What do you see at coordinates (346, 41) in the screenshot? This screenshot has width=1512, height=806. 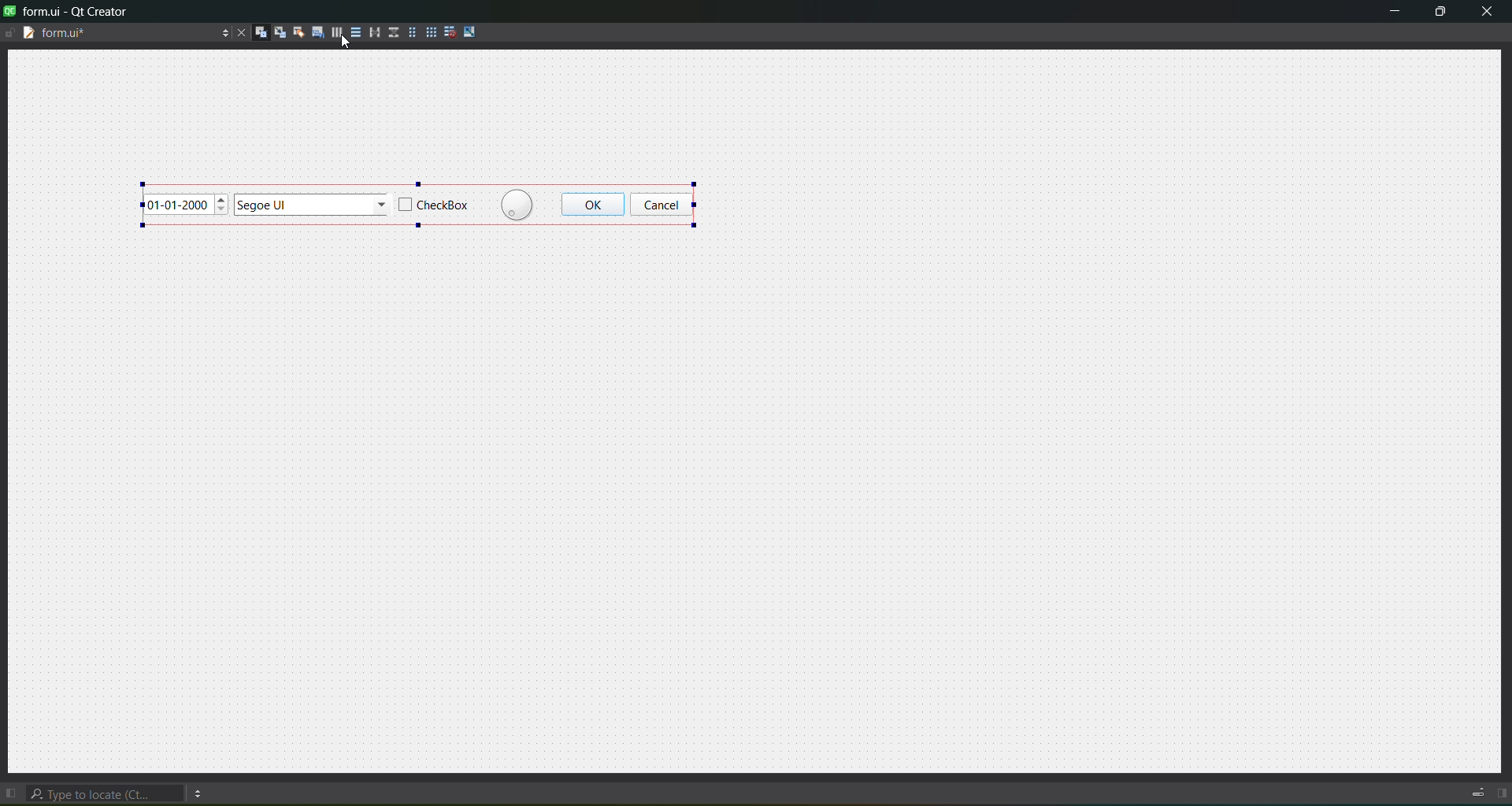 I see `cursor` at bounding box center [346, 41].